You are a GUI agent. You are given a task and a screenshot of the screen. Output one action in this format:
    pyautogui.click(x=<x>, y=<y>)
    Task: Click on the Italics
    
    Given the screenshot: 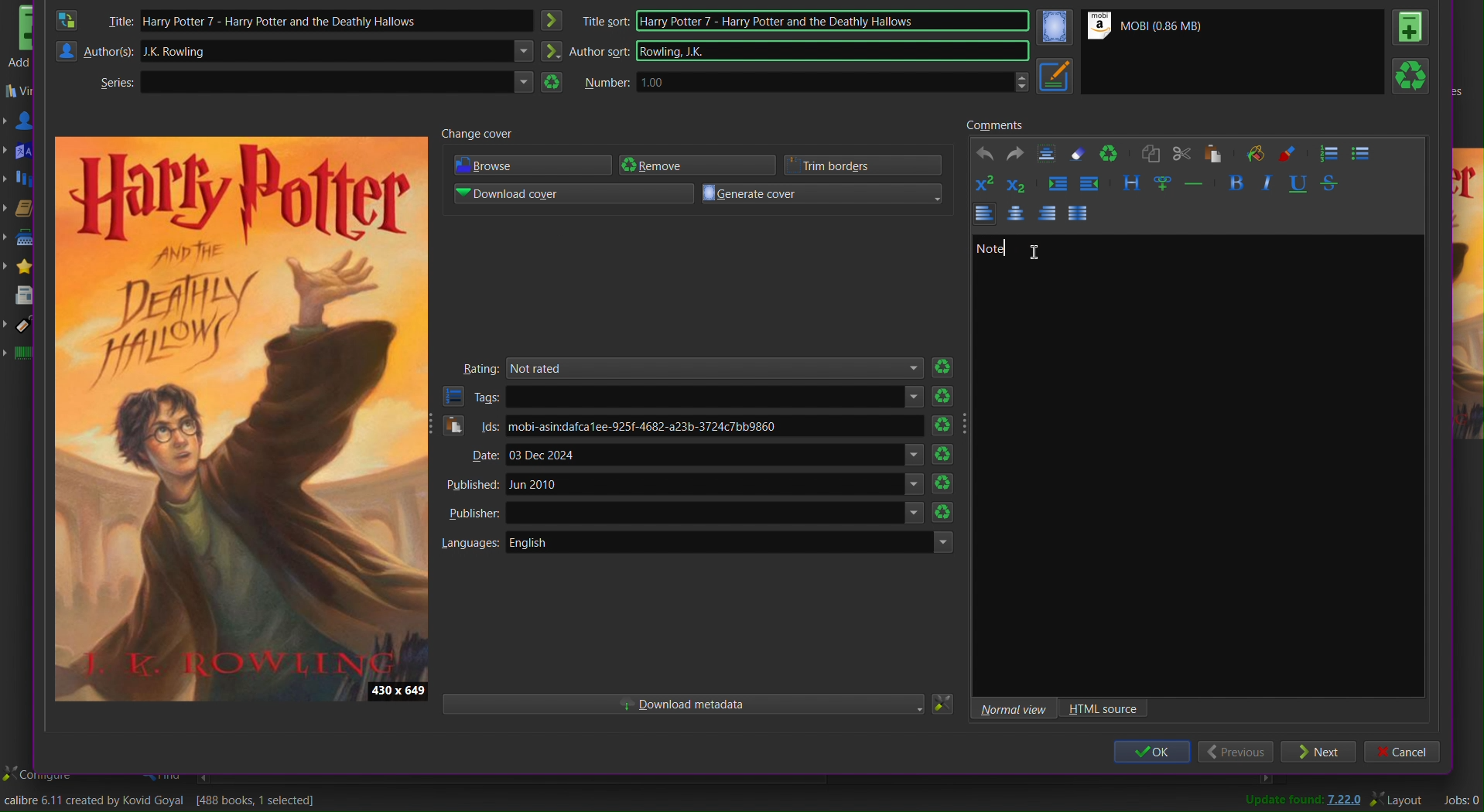 What is the action you would take?
    pyautogui.click(x=1269, y=183)
    